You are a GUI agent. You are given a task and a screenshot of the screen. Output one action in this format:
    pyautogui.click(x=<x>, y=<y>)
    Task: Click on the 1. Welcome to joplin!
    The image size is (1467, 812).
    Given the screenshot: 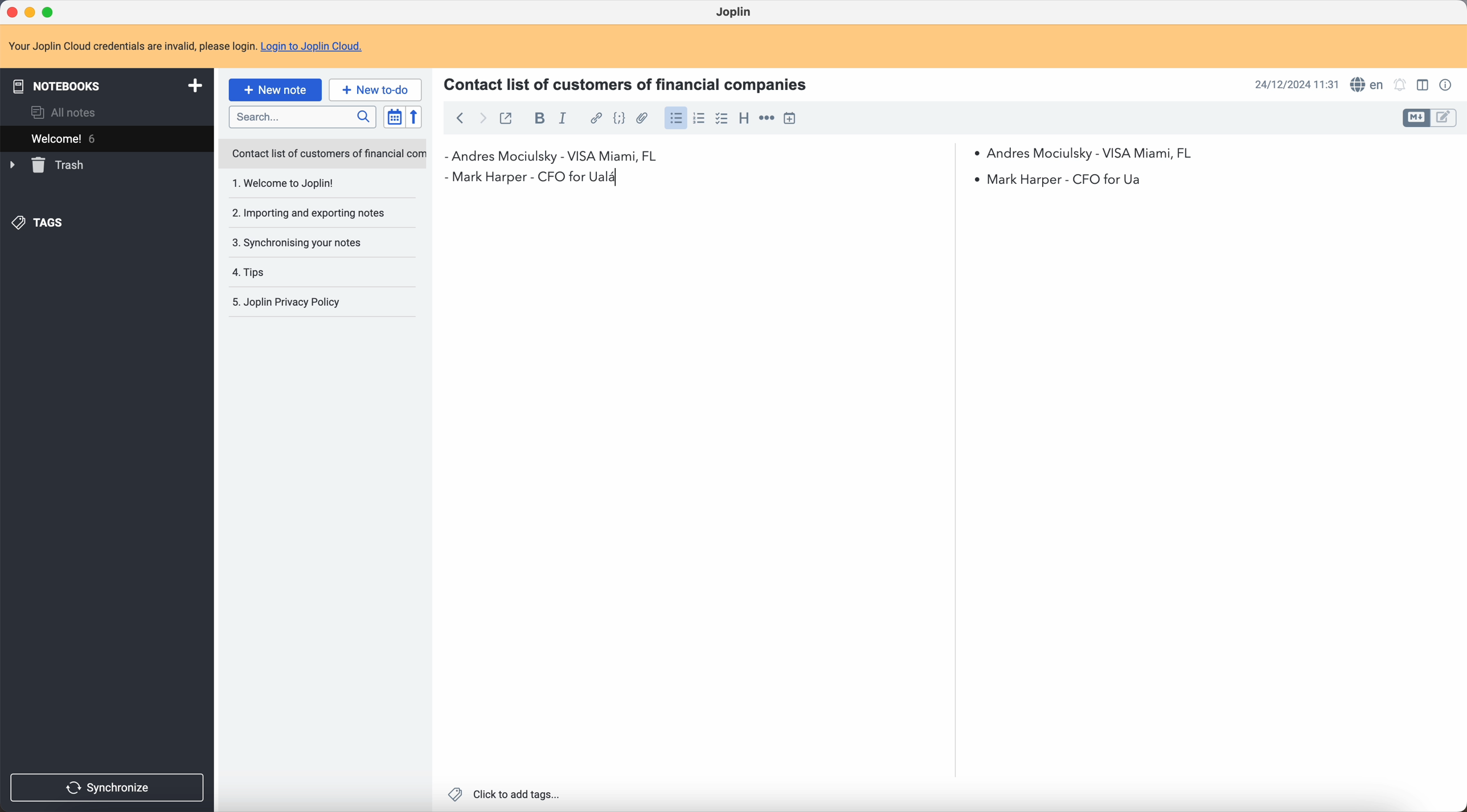 What is the action you would take?
    pyautogui.click(x=310, y=184)
    